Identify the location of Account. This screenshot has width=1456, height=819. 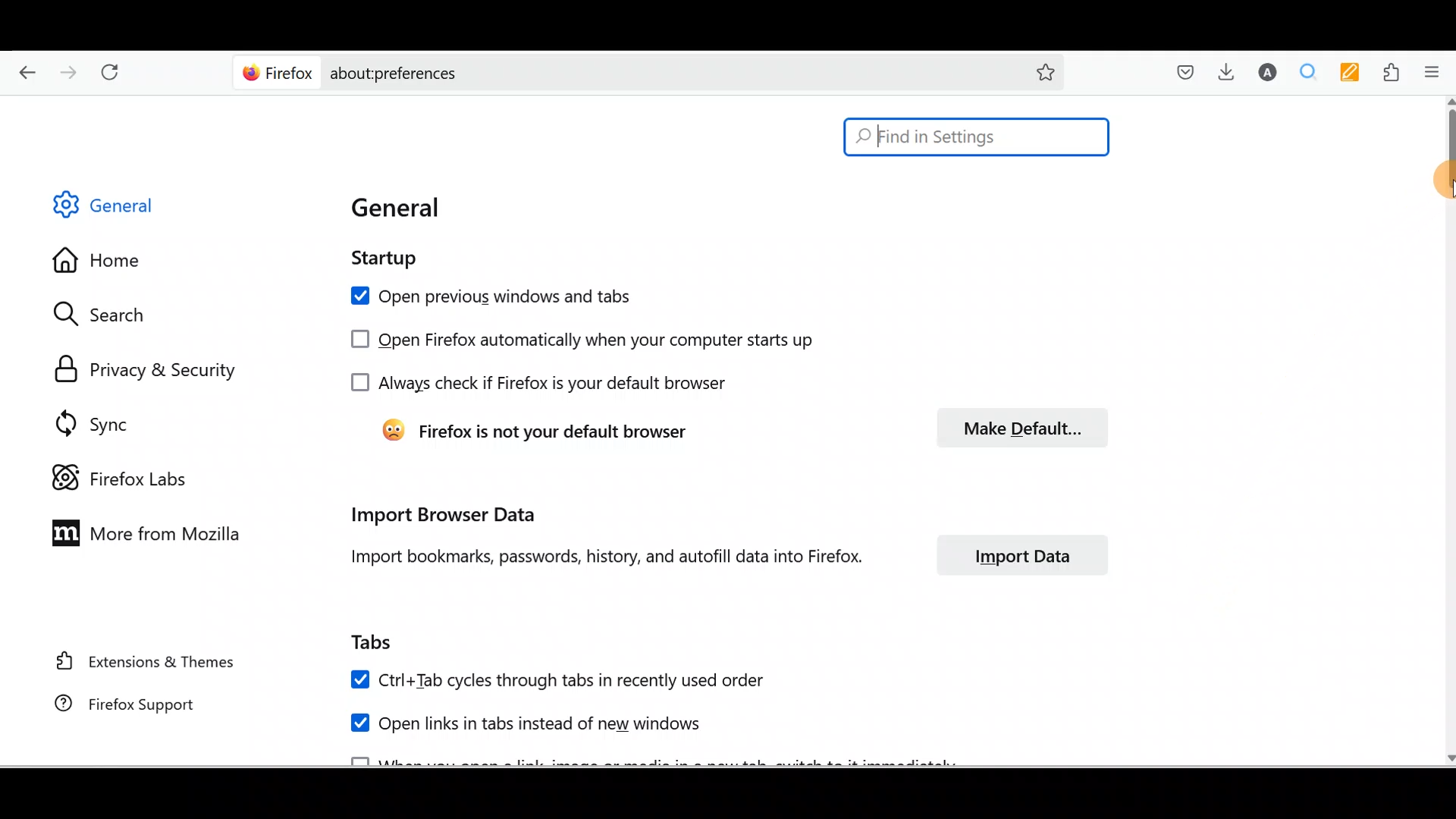
(1264, 72).